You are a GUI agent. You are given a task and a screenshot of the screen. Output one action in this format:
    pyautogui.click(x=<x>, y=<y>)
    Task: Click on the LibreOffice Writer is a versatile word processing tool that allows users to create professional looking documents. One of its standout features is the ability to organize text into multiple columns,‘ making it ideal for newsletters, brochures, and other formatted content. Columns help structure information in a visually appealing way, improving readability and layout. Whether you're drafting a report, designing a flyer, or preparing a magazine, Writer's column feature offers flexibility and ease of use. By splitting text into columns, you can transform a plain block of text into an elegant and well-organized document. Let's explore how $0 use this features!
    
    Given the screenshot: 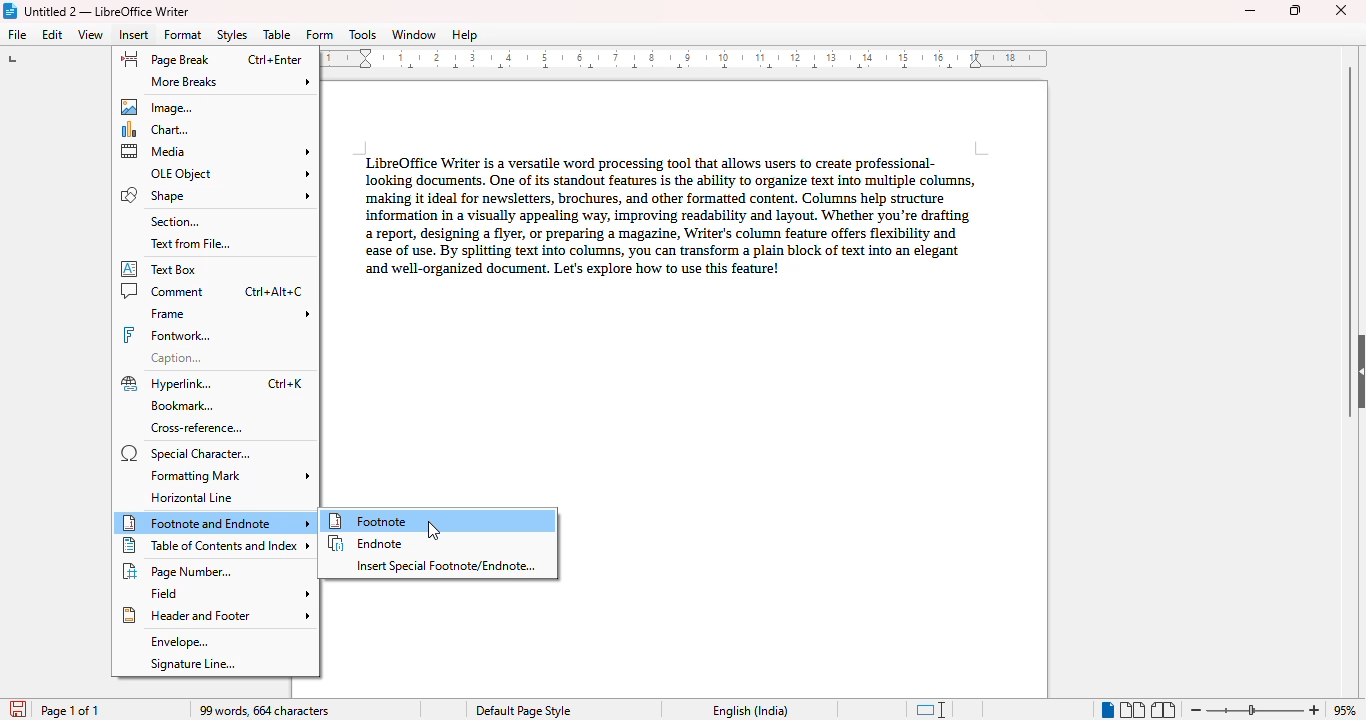 What is the action you would take?
    pyautogui.click(x=665, y=211)
    